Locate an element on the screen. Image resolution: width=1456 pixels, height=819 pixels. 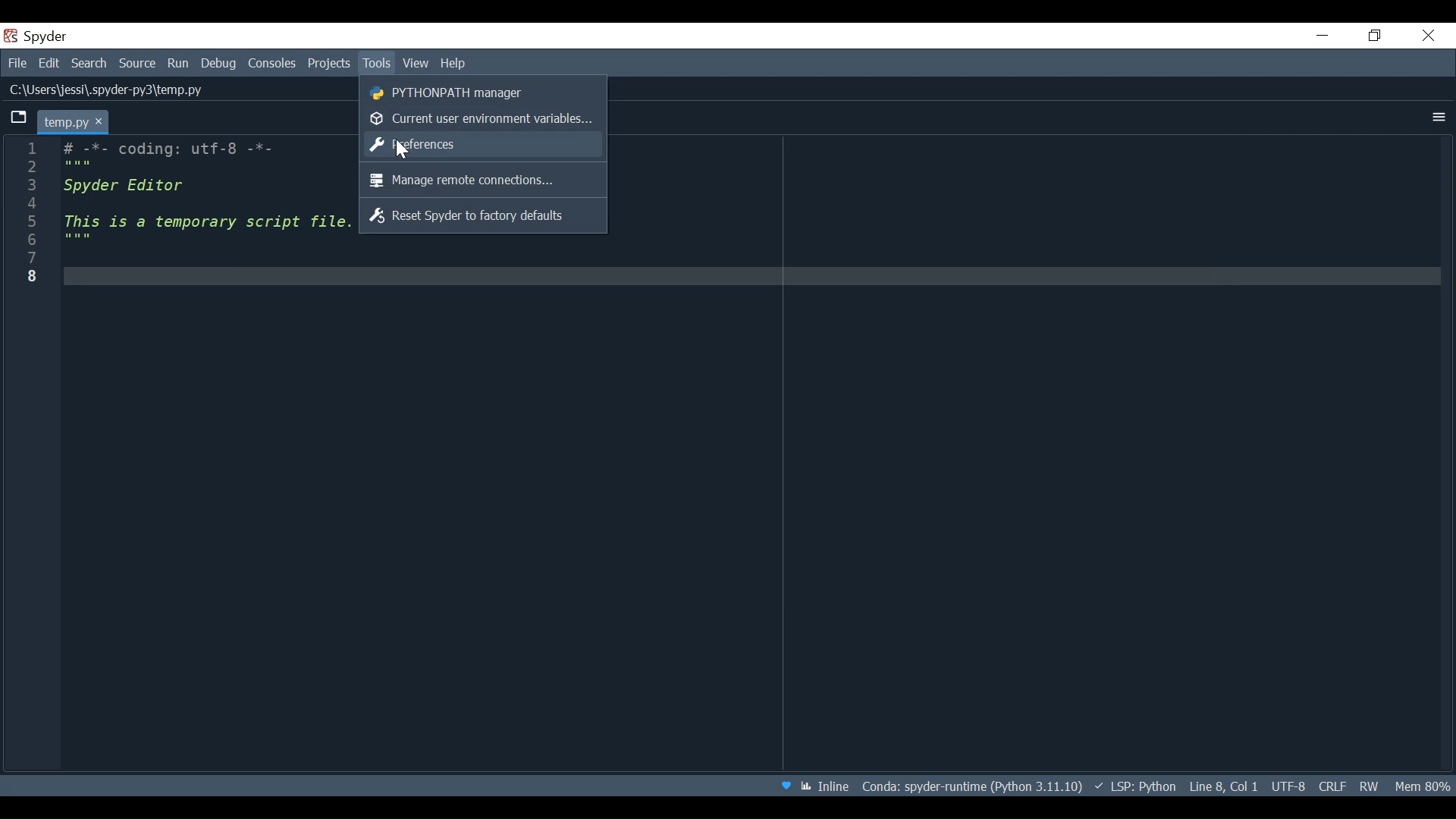
File is located at coordinates (17, 64).